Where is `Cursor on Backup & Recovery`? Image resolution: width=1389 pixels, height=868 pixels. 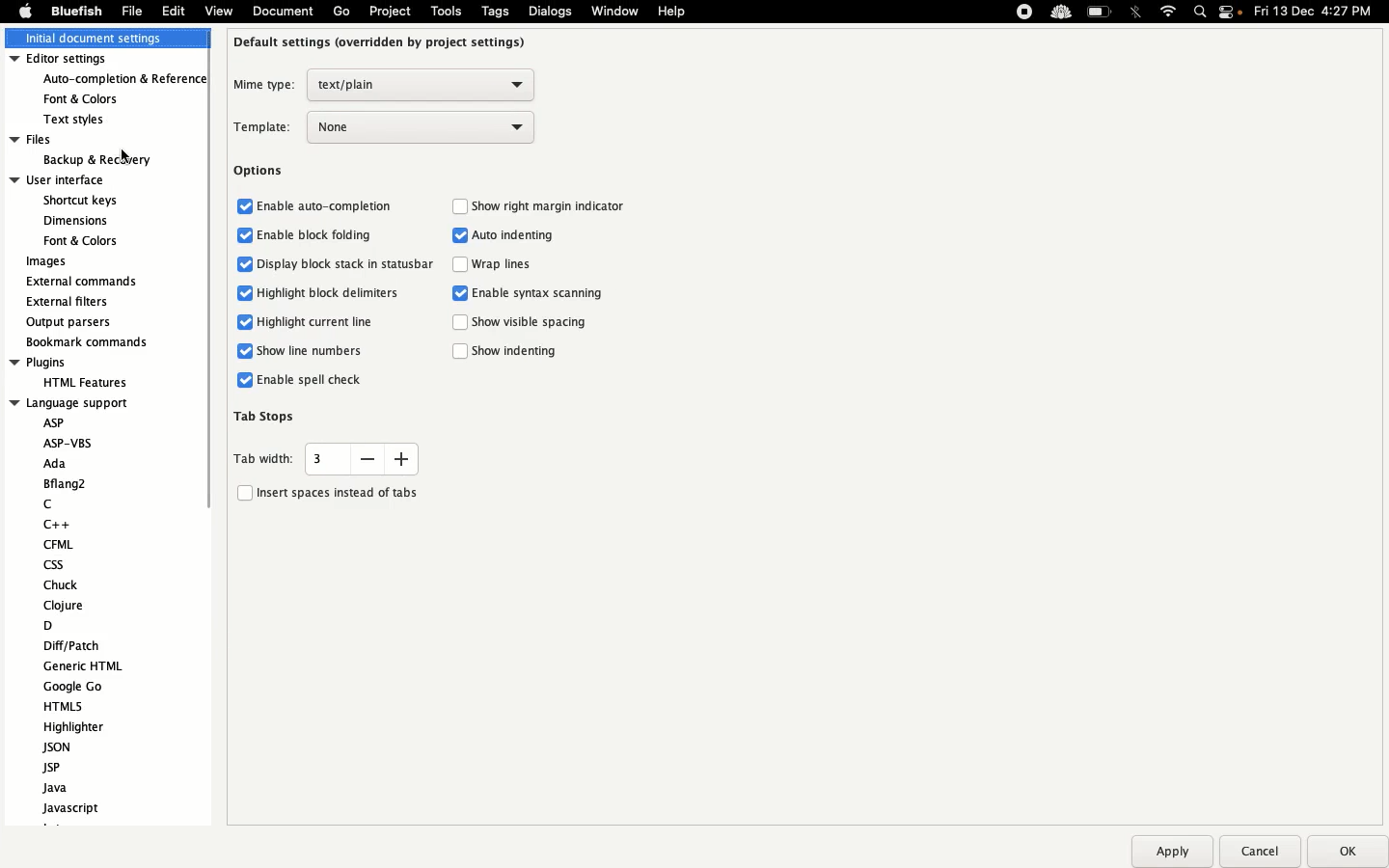
Cursor on Backup & Recovery is located at coordinates (125, 157).